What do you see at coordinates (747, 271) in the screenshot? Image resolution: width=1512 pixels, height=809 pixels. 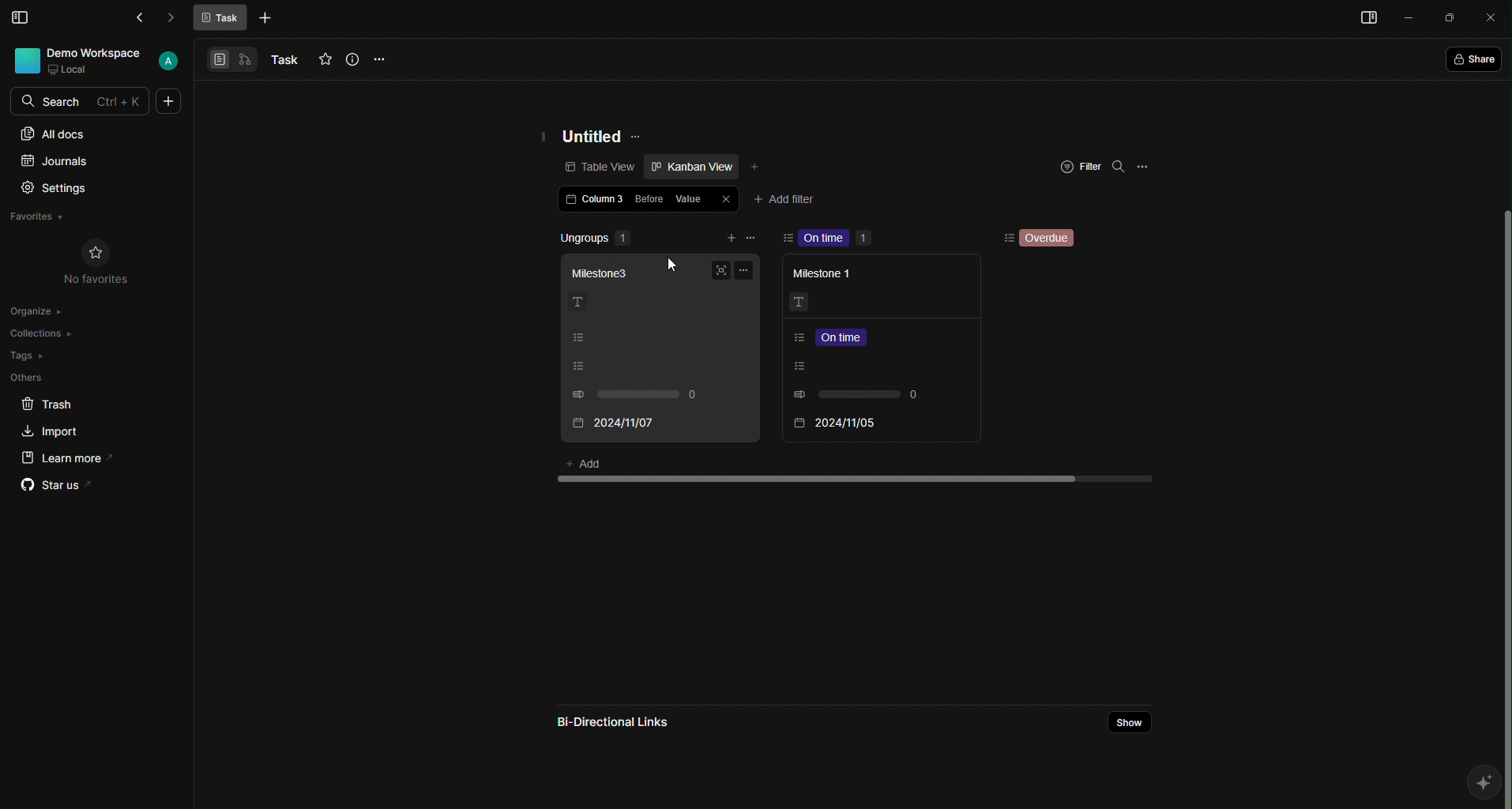 I see `Options` at bounding box center [747, 271].